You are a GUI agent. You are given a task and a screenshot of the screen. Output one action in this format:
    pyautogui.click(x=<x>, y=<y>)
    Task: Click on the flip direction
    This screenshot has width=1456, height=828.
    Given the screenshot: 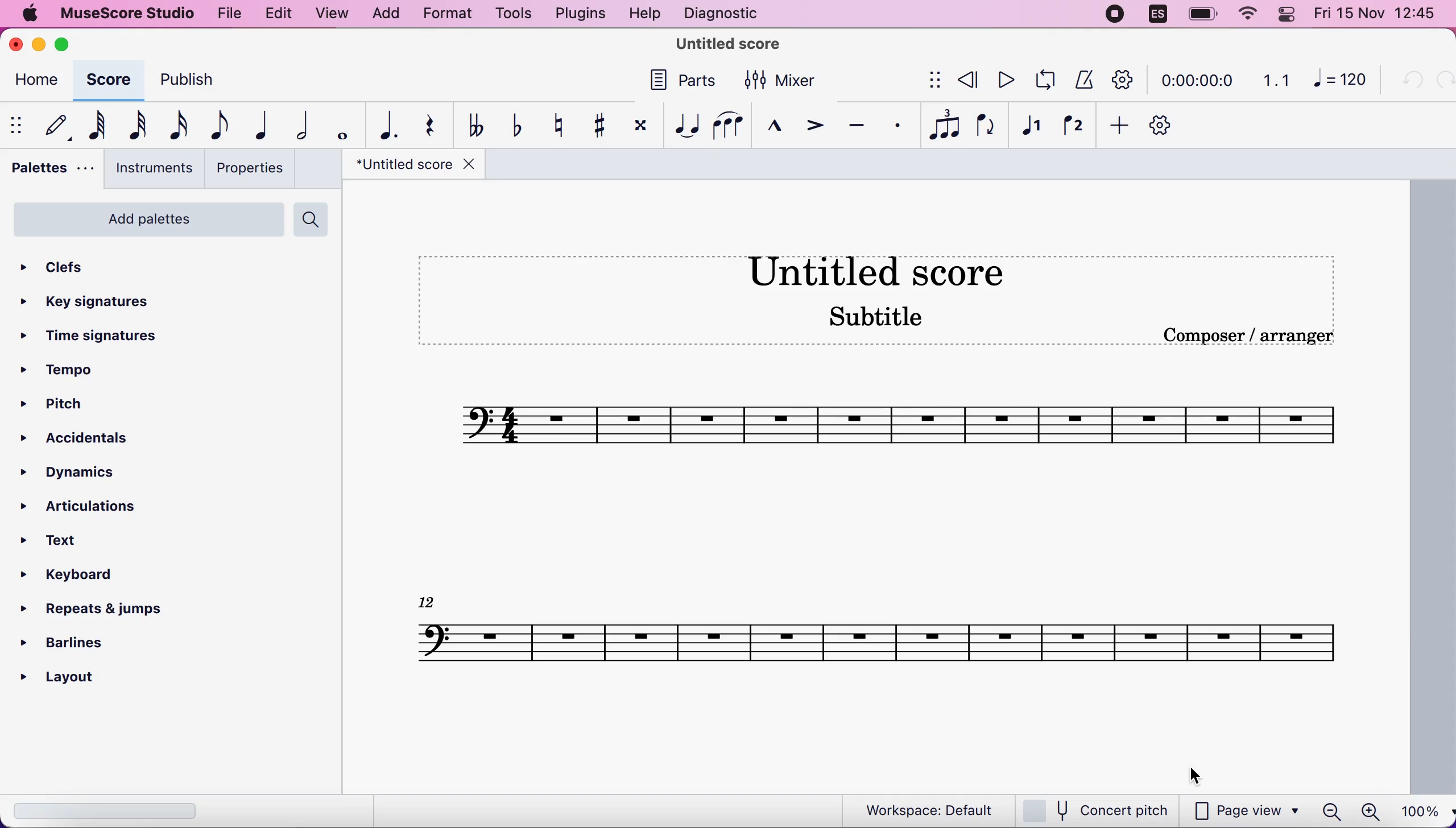 What is the action you would take?
    pyautogui.click(x=986, y=123)
    